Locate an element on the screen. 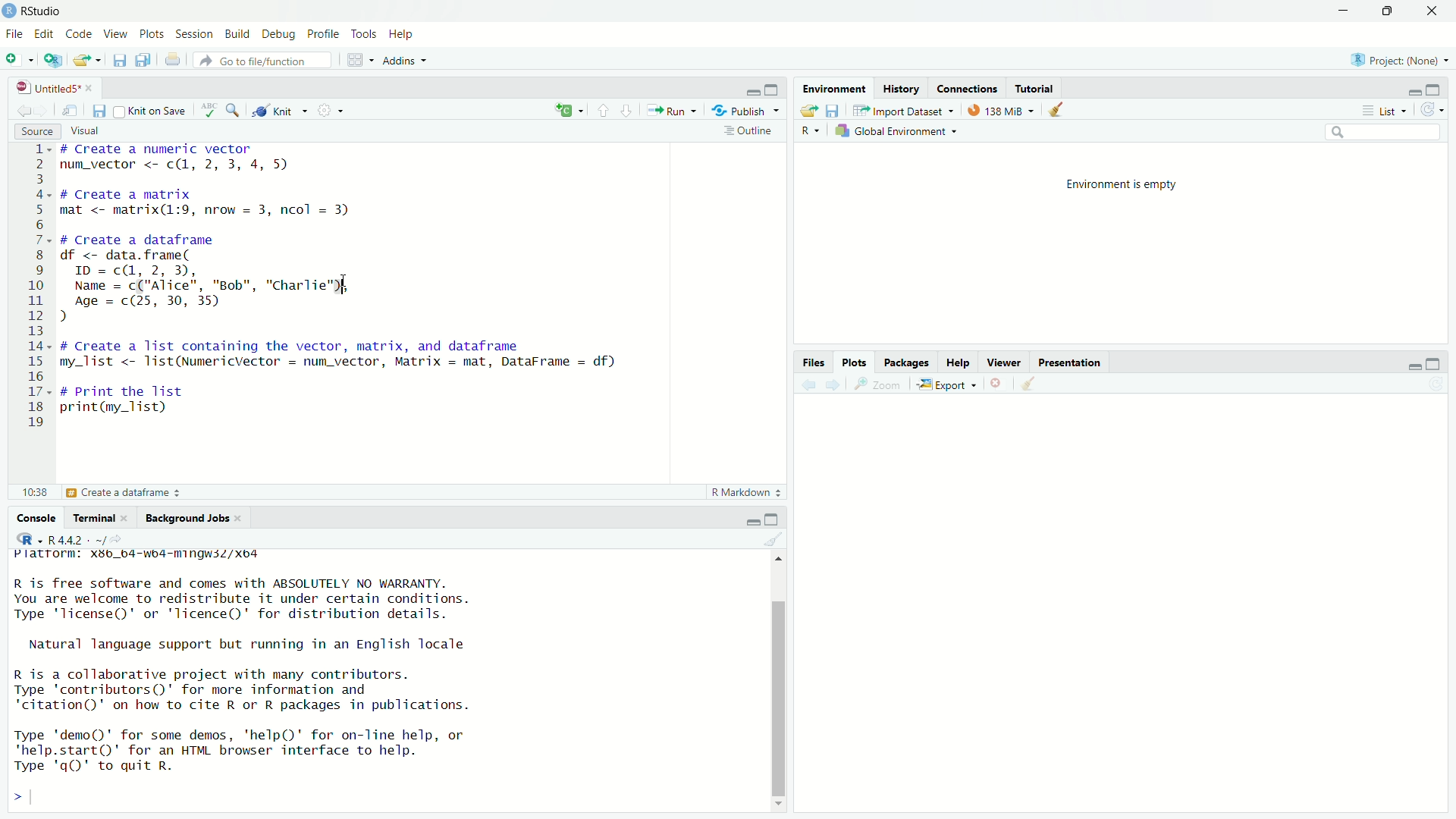 The width and height of the screenshot is (1456, 819). Background Jobs is located at coordinates (193, 519).